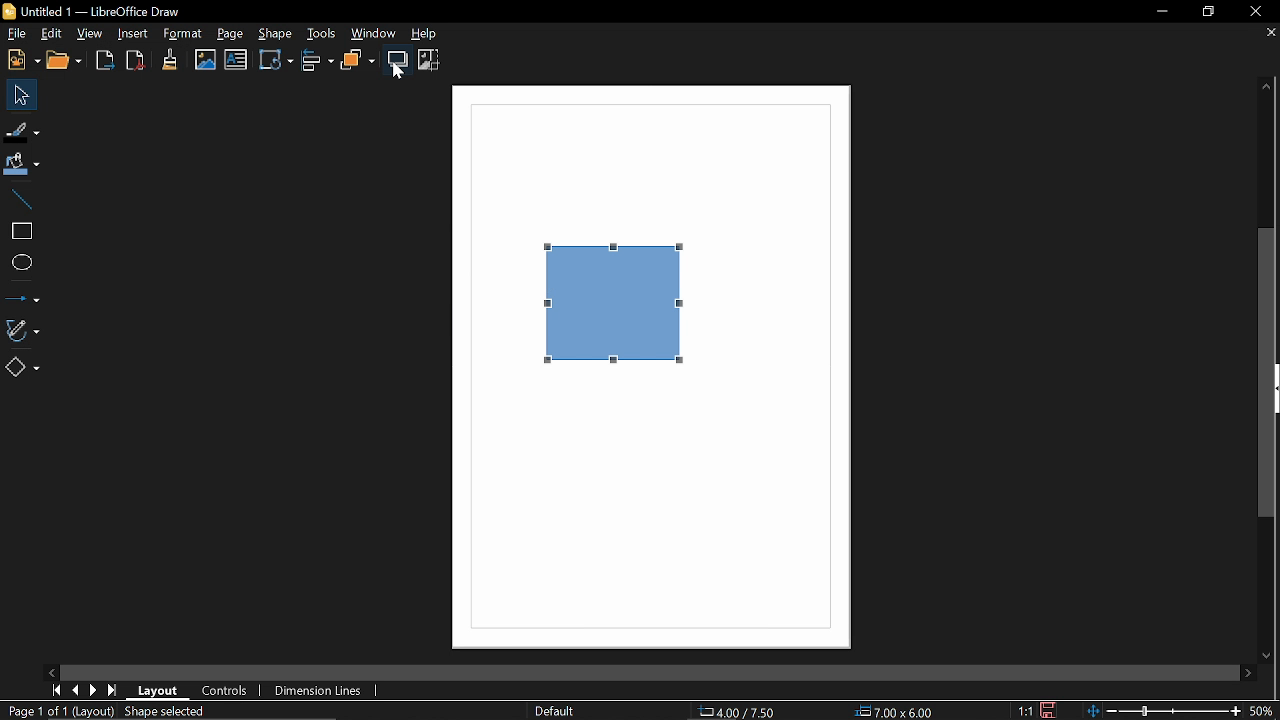 This screenshot has height=720, width=1280. What do you see at coordinates (75, 691) in the screenshot?
I see `Previous page` at bounding box center [75, 691].